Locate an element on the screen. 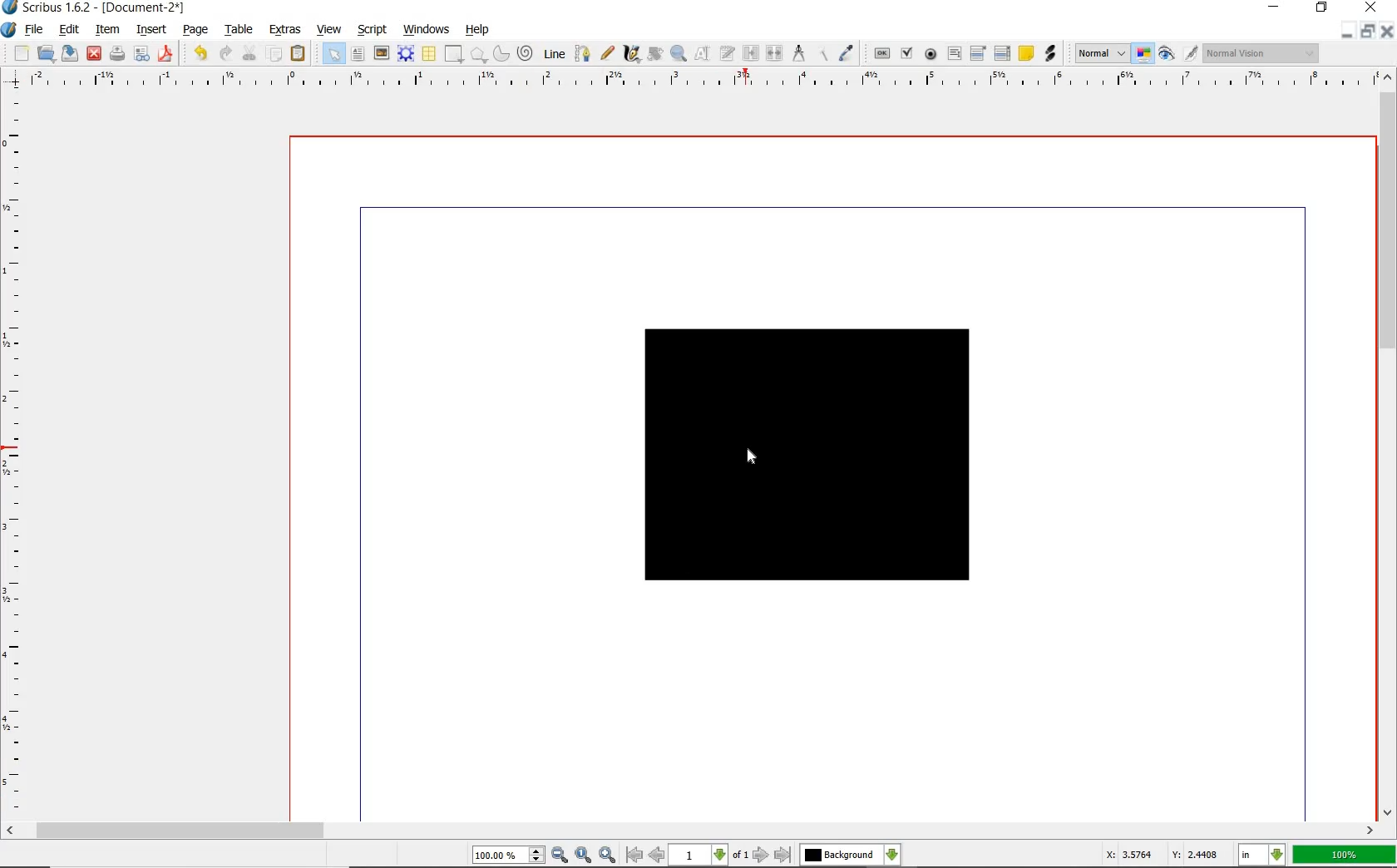 Image resolution: width=1397 pixels, height=868 pixels. select the current unit is located at coordinates (1263, 856).